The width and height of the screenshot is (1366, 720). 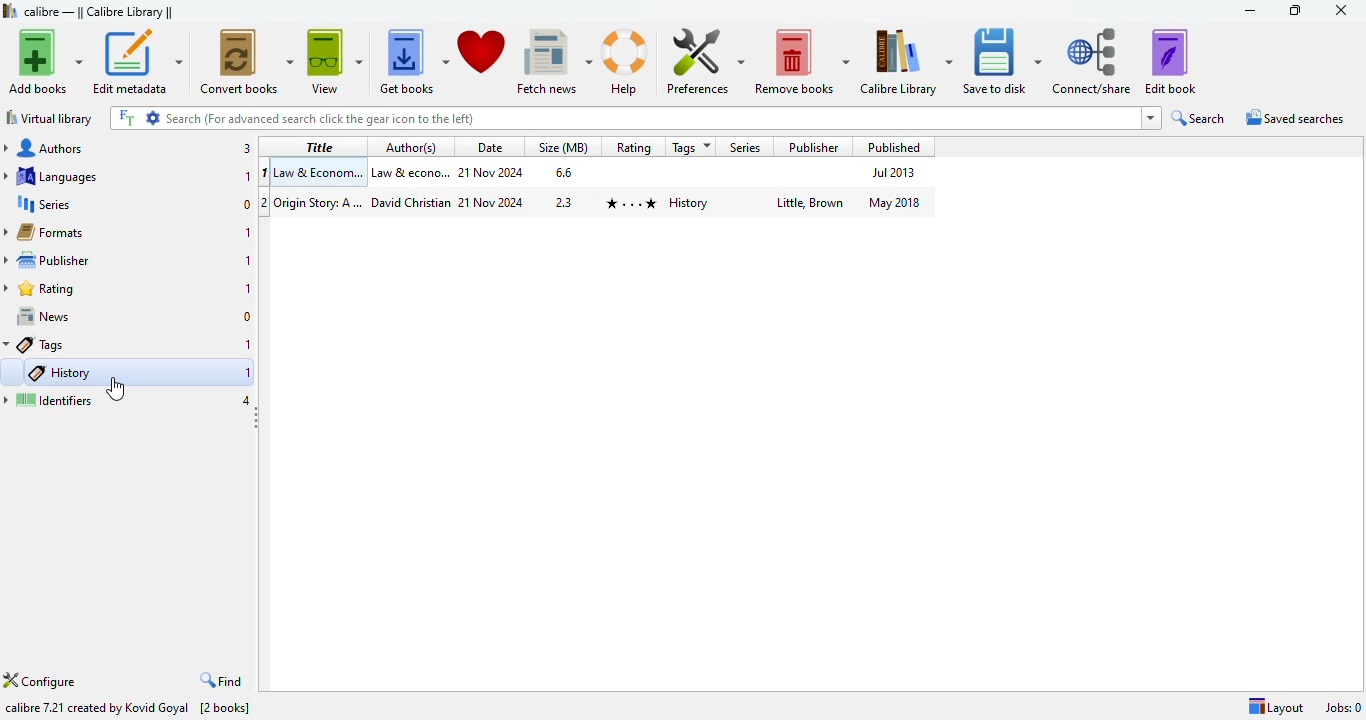 I want to click on author(s), so click(x=411, y=147).